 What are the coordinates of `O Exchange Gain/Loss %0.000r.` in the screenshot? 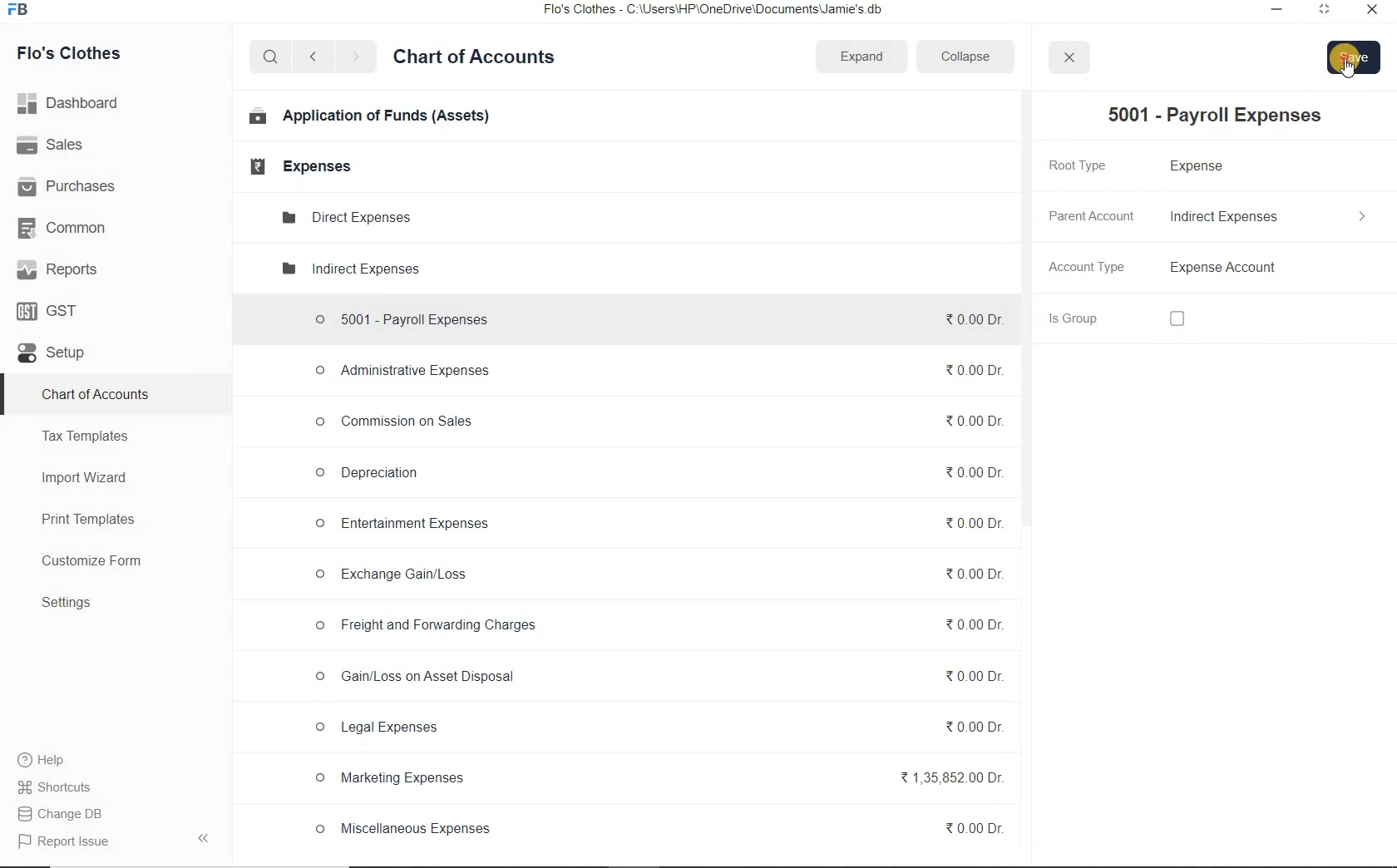 It's located at (654, 575).